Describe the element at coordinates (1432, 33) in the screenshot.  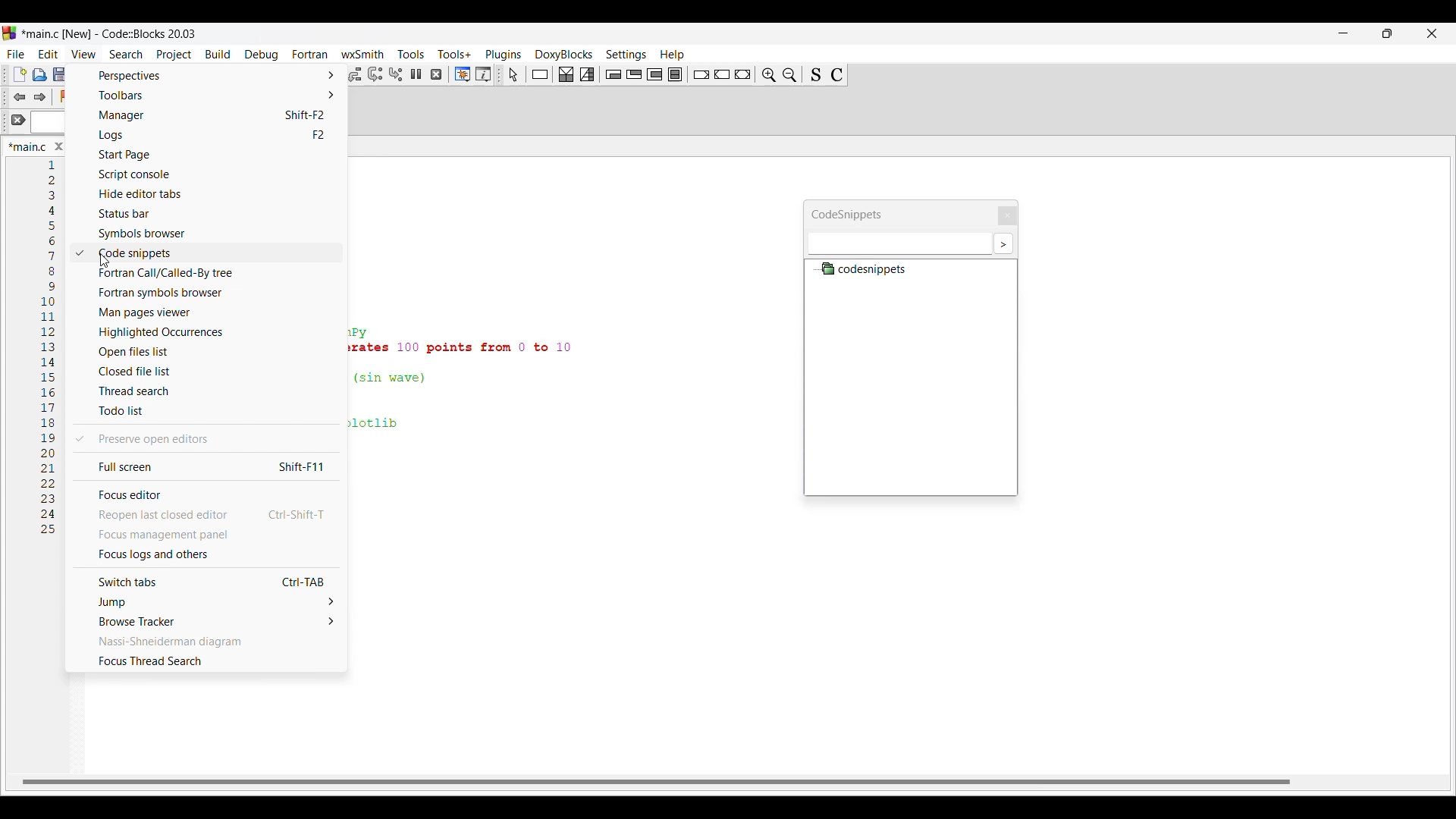
I see `Close interface` at that location.